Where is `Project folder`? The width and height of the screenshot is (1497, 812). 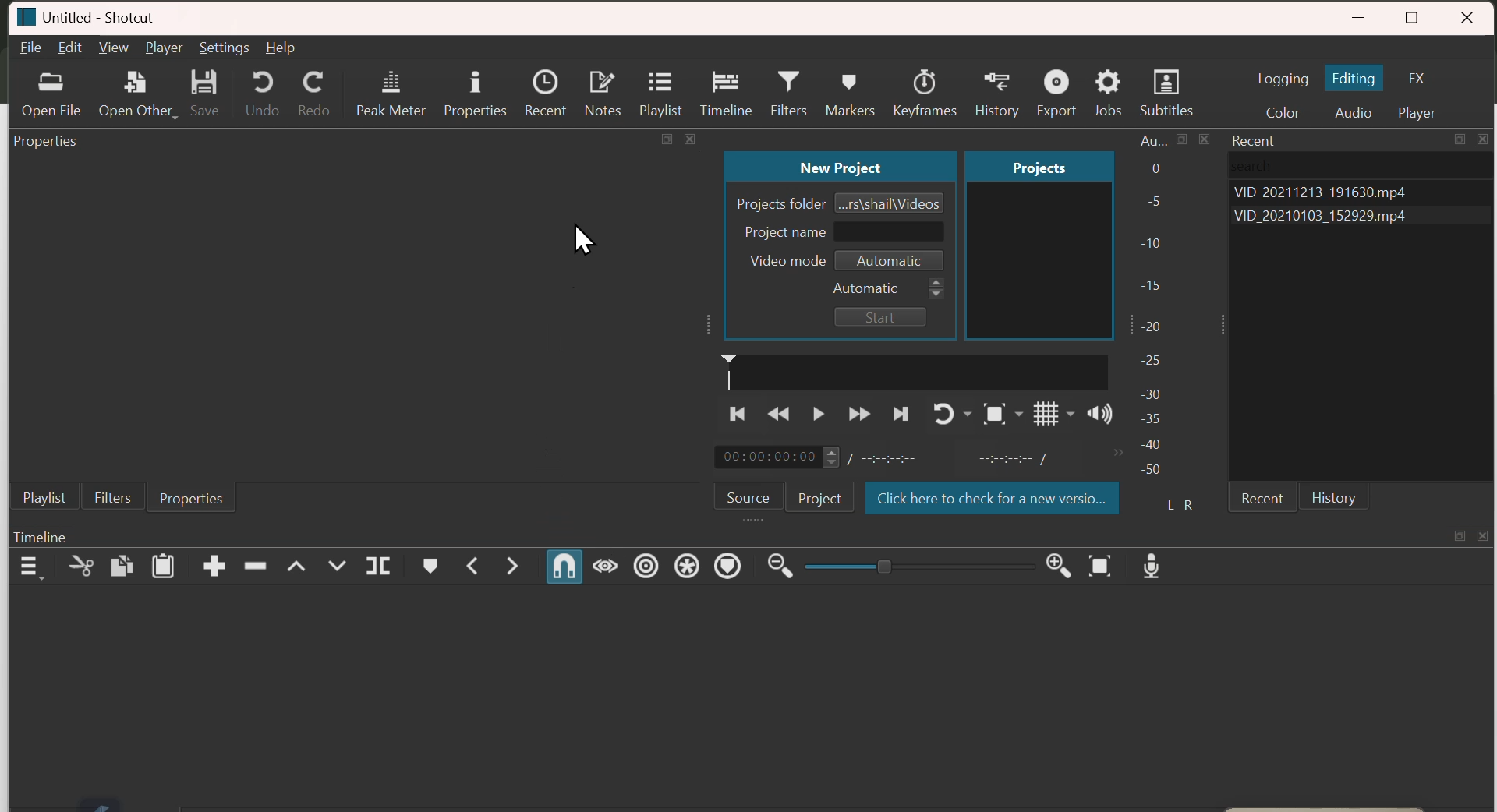 Project folder is located at coordinates (841, 202).